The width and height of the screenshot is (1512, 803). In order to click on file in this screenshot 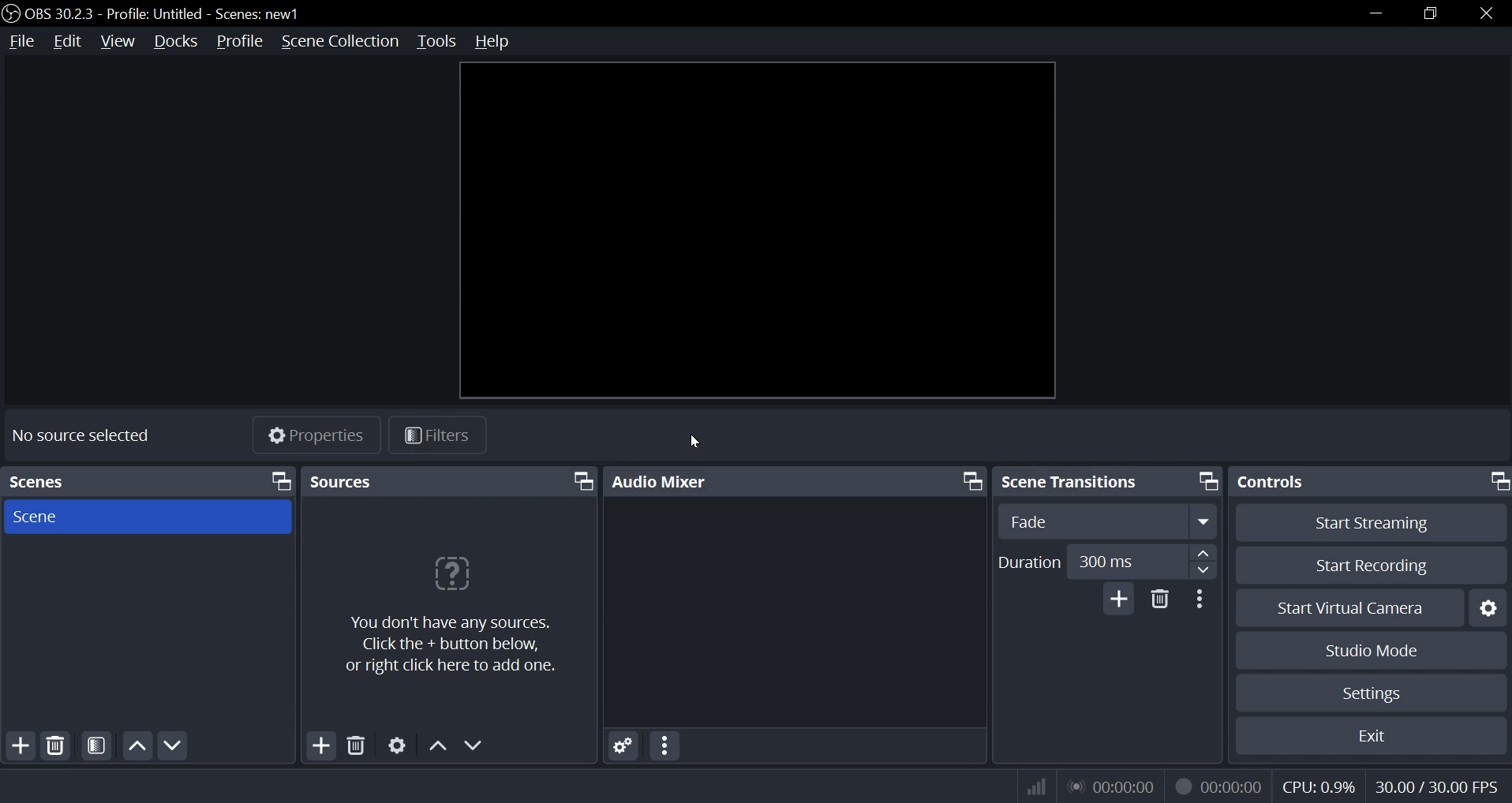, I will do `click(21, 42)`.